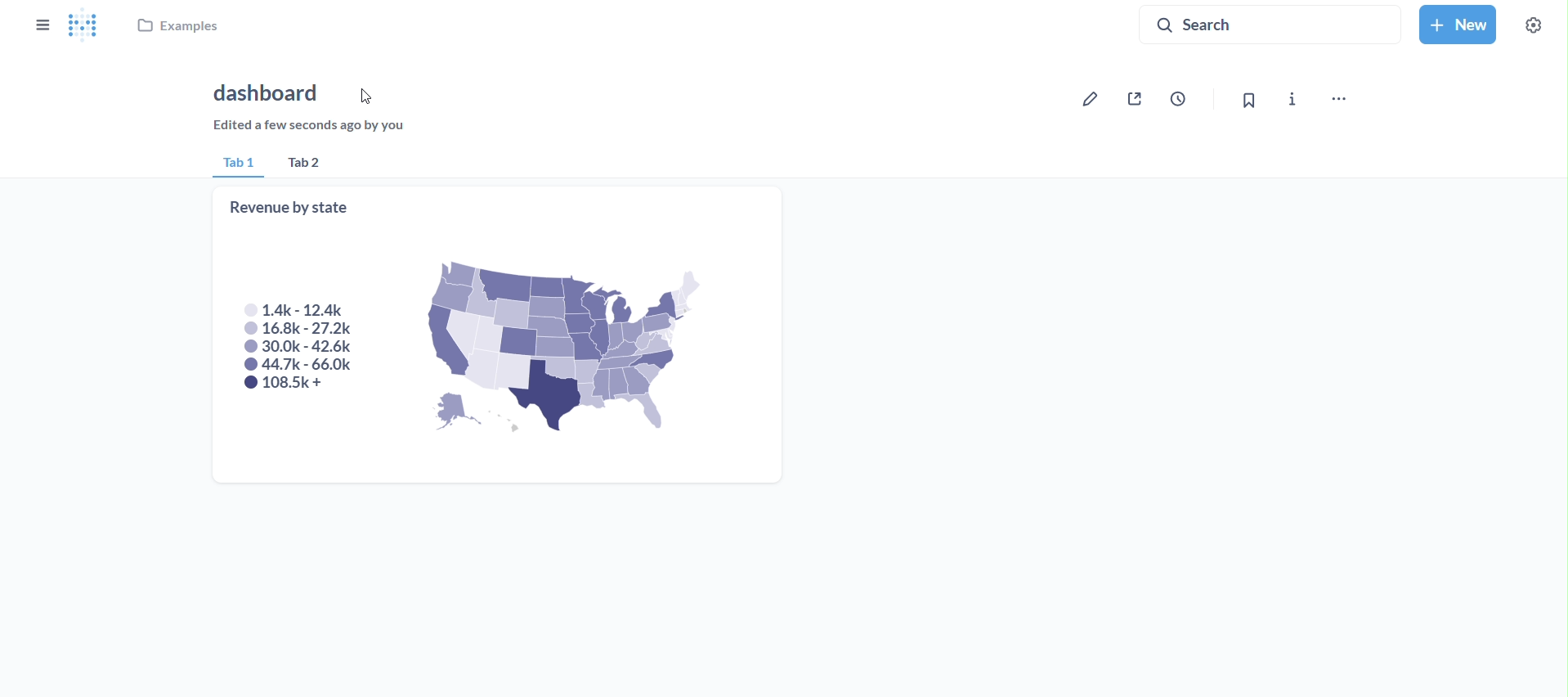 The width and height of the screenshot is (1568, 697). Describe the element at coordinates (312, 128) in the screenshot. I see `edited a few seconds ago by you` at that location.